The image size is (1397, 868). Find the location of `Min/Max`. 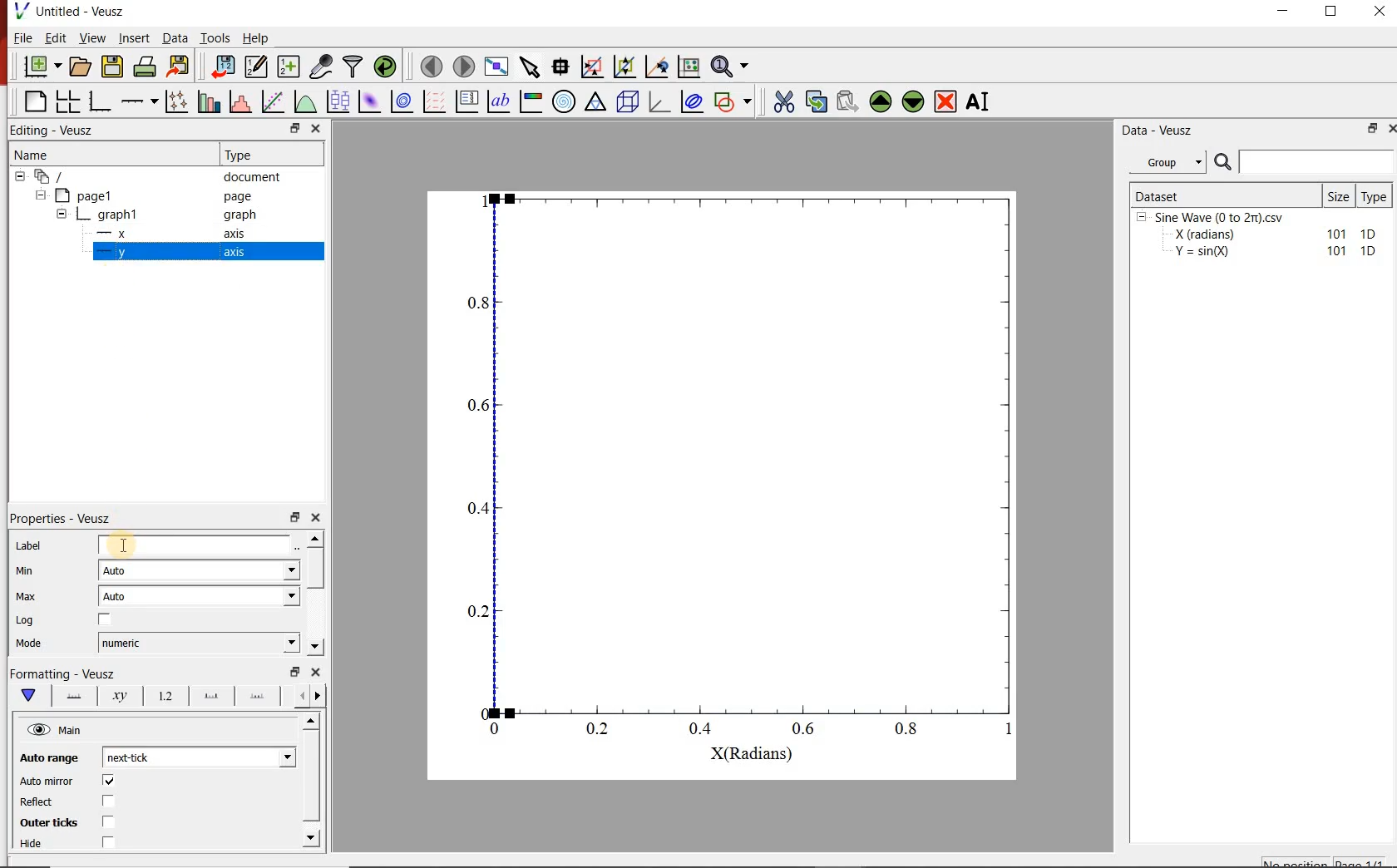

Min/Max is located at coordinates (295, 672).